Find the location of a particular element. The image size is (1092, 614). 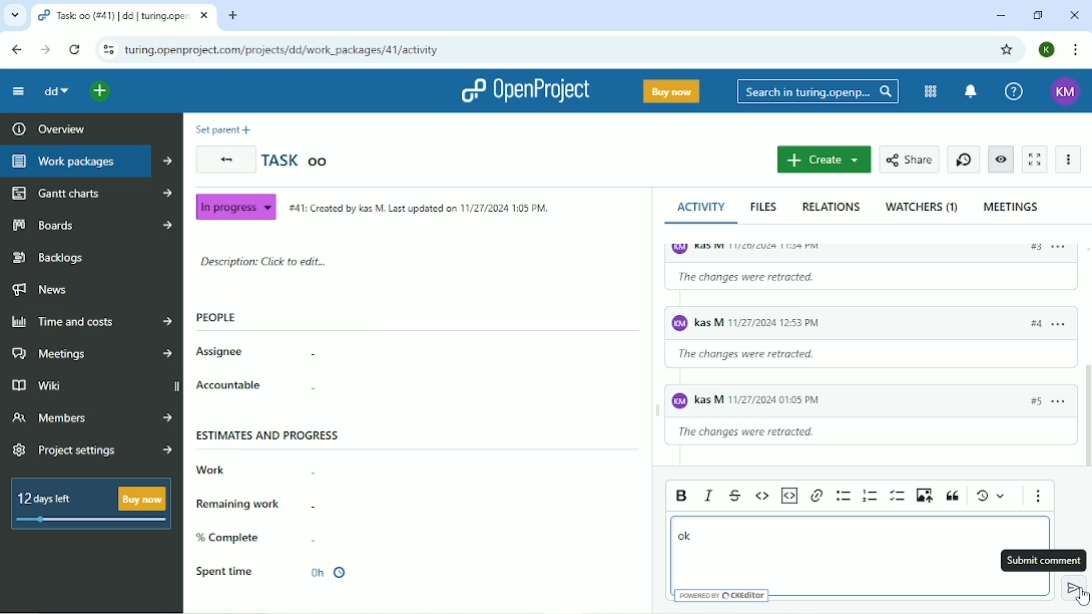

Members is located at coordinates (92, 416).